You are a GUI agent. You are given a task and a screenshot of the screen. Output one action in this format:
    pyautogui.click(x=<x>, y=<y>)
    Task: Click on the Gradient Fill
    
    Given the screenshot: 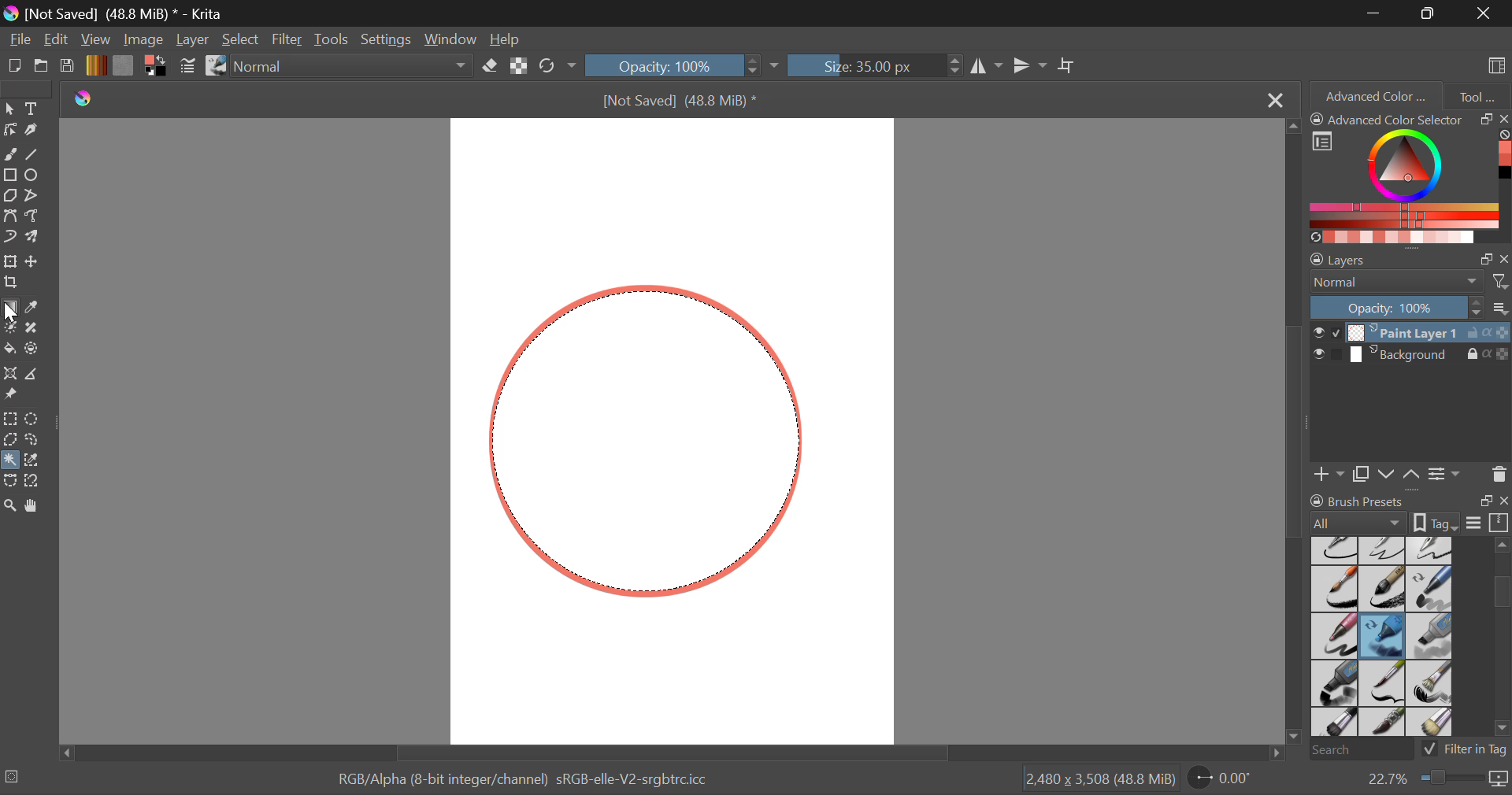 What is the action you would take?
    pyautogui.click(x=9, y=309)
    